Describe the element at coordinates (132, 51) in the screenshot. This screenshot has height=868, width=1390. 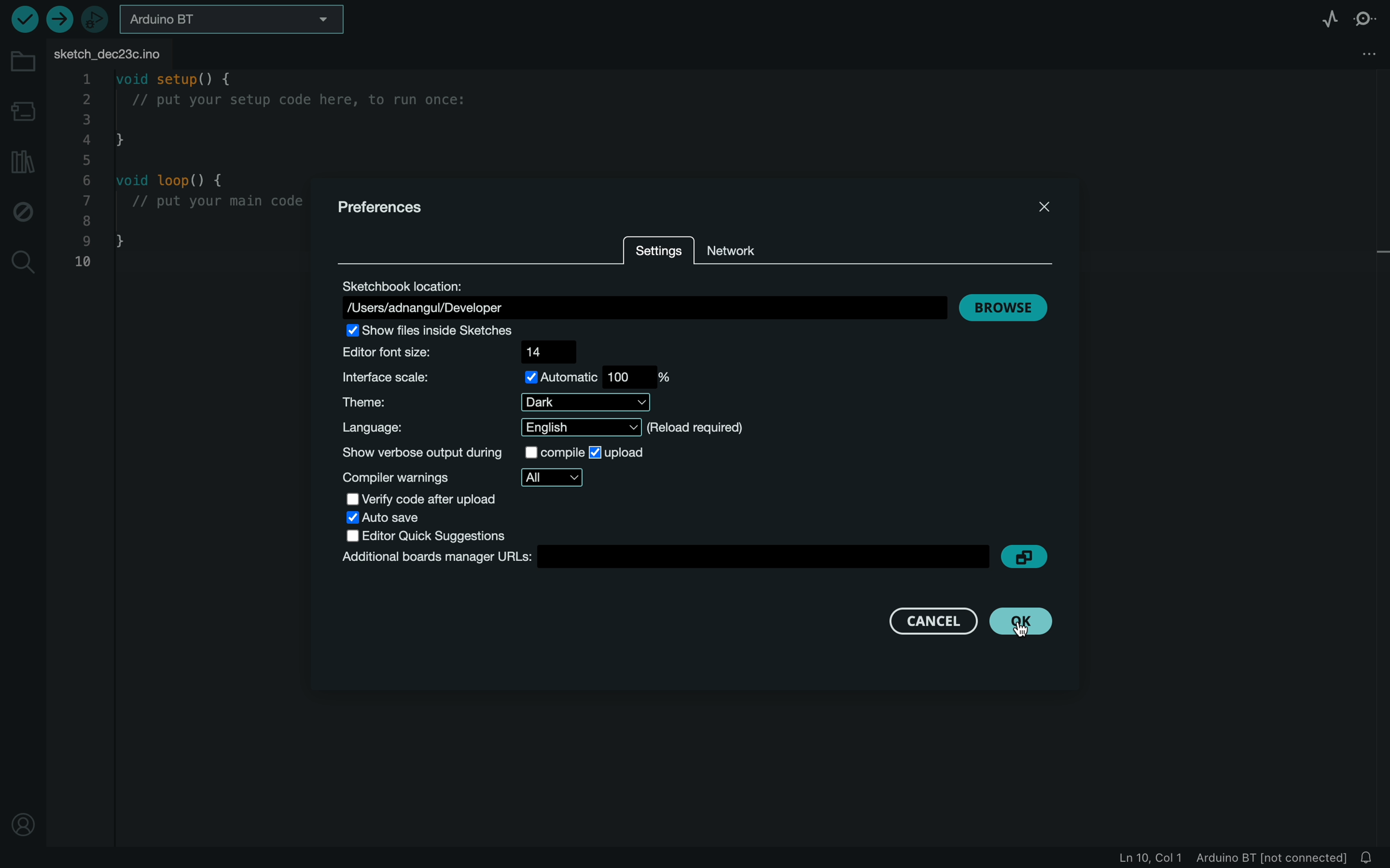
I see `file tab` at that location.